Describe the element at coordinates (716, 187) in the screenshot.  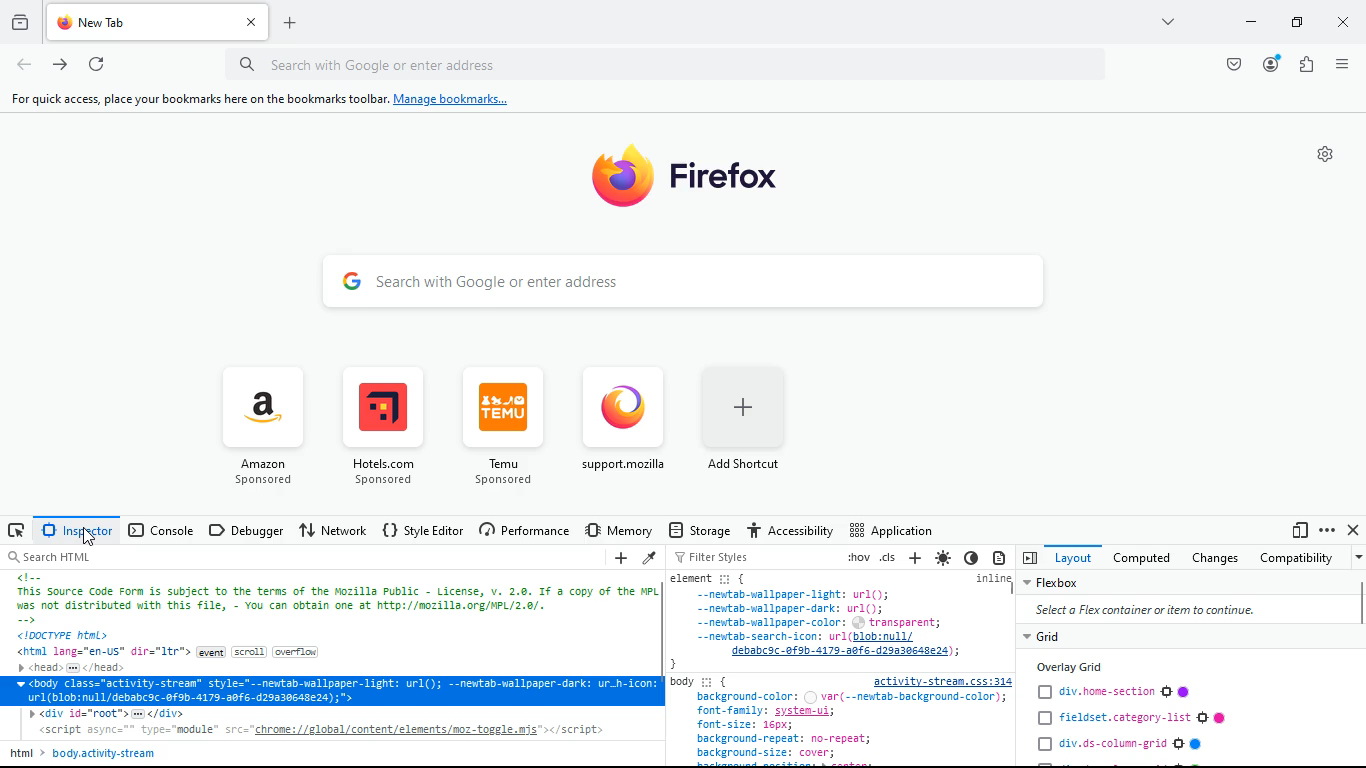
I see `firefox` at that location.